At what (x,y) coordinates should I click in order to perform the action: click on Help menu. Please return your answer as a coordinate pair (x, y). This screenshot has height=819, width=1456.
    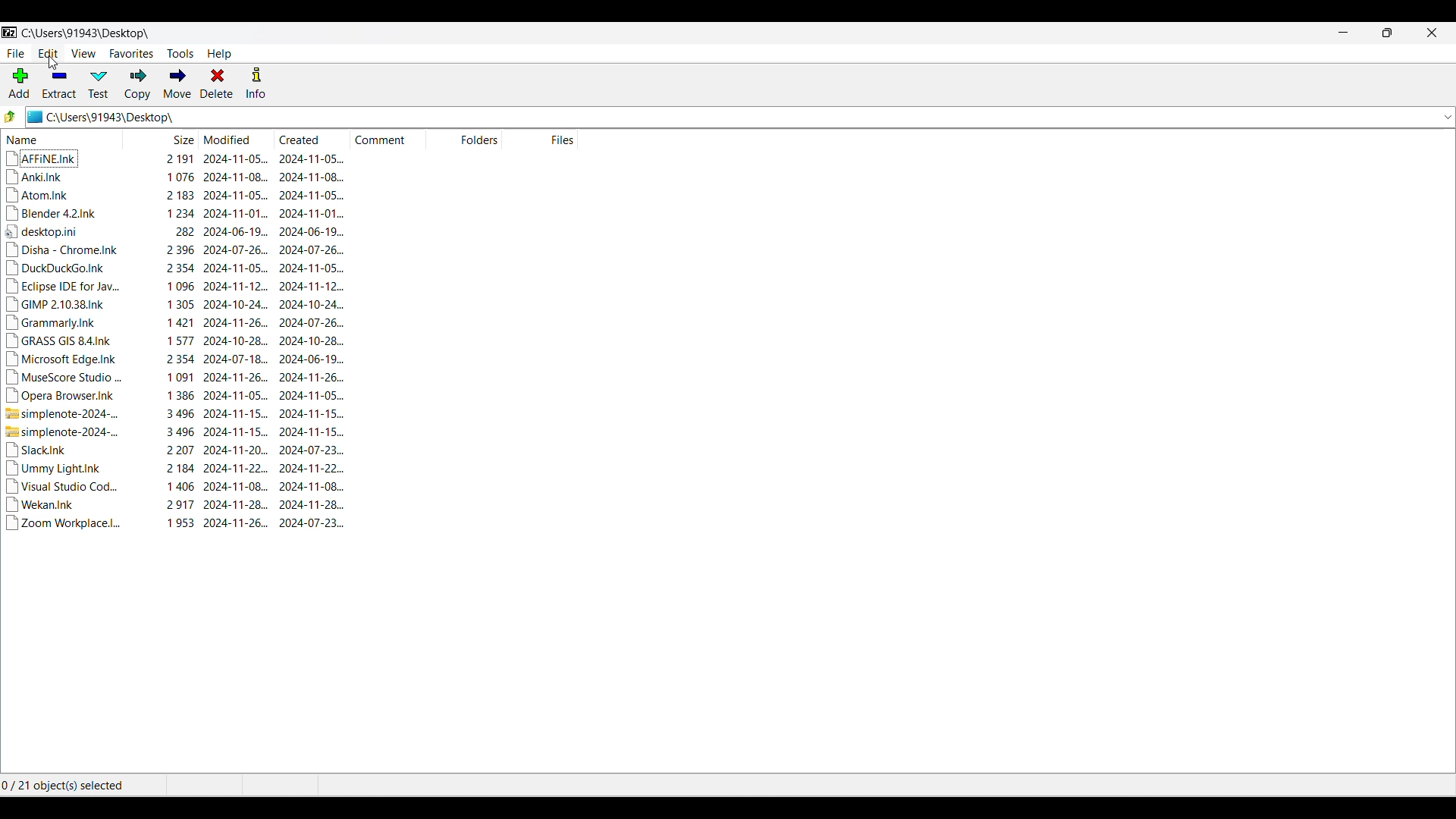
    Looking at the image, I should click on (219, 55).